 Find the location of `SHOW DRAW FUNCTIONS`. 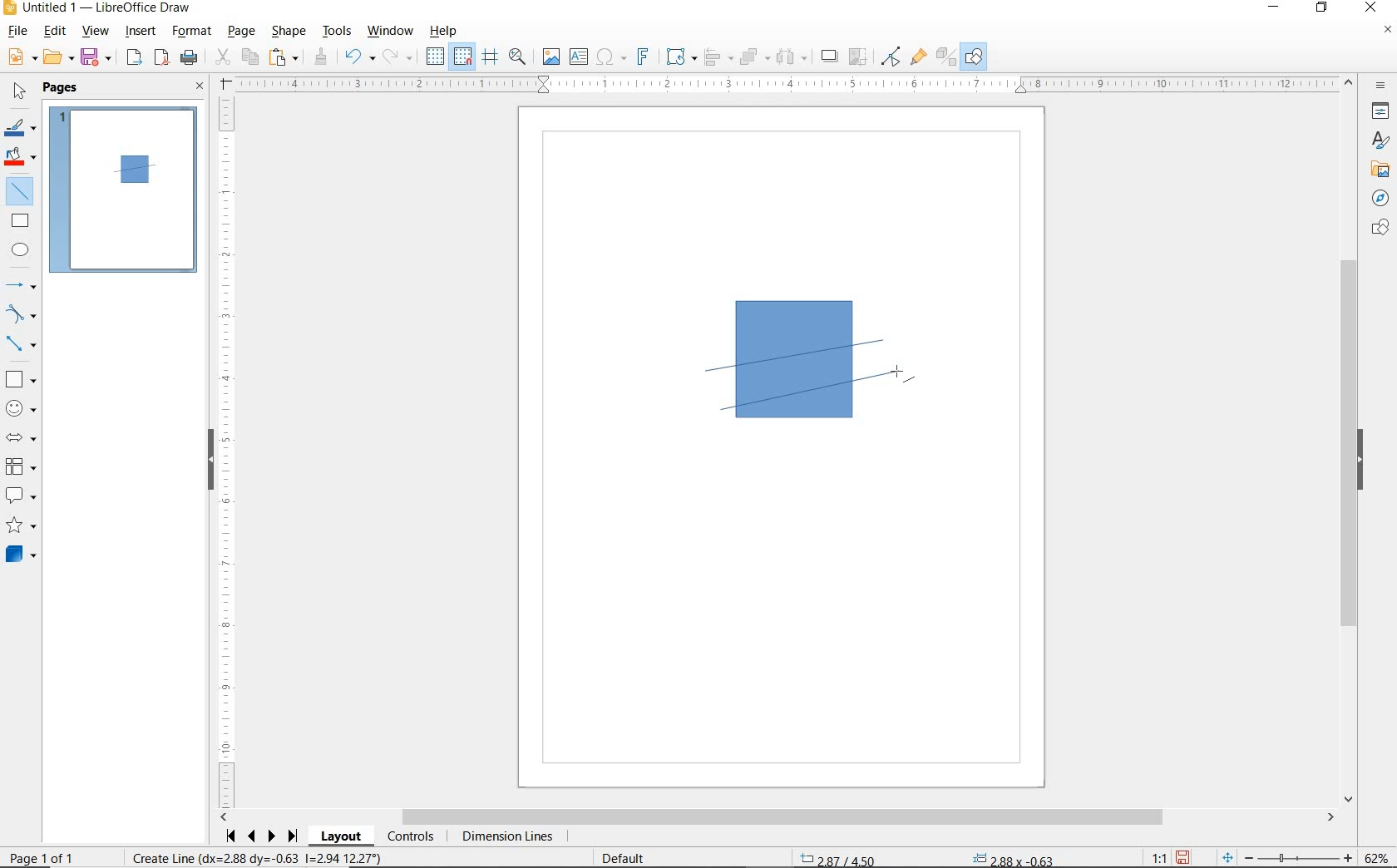

SHOW DRAW FUNCTIONS is located at coordinates (975, 57).